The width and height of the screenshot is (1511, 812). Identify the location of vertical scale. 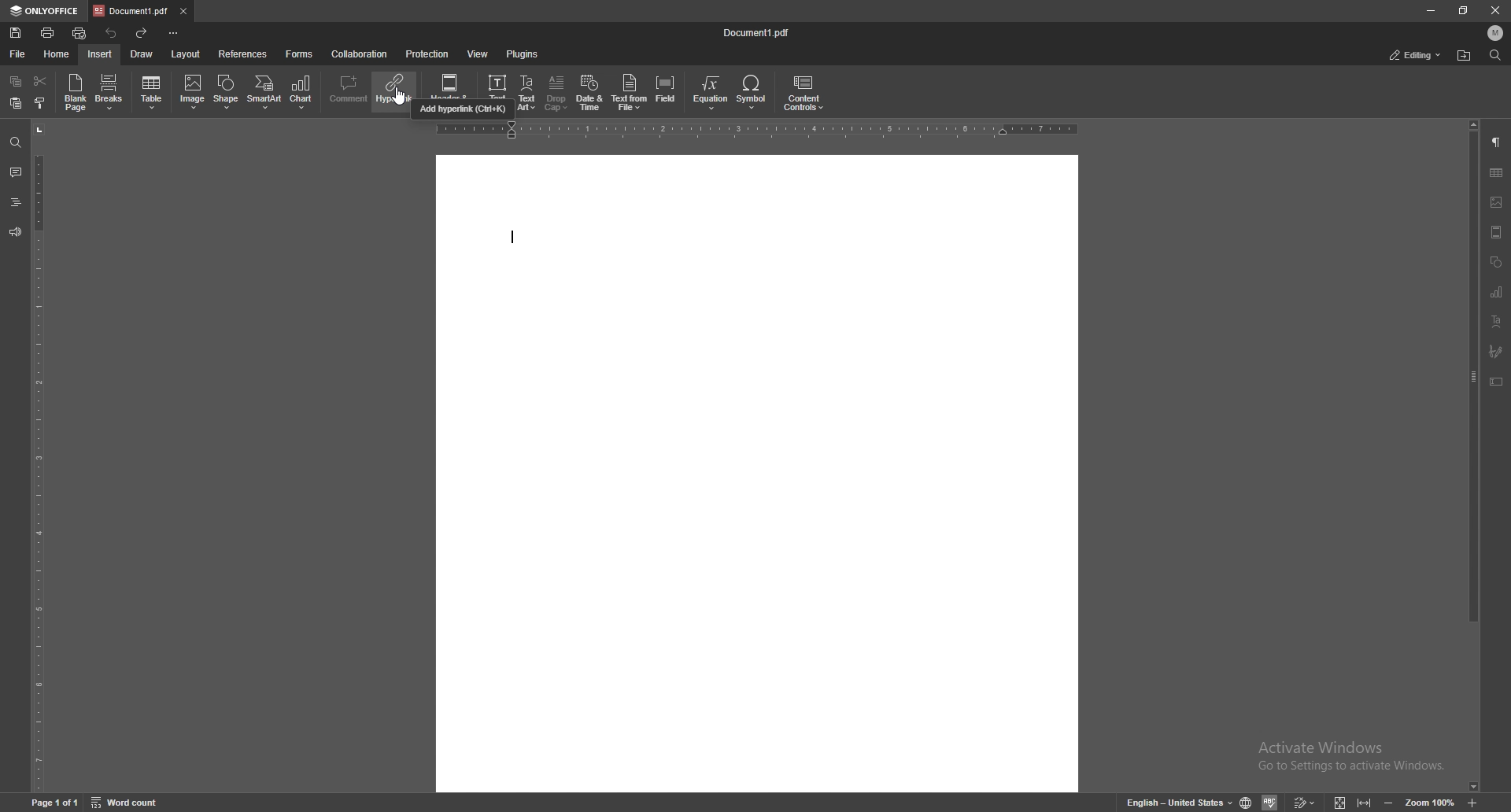
(36, 456).